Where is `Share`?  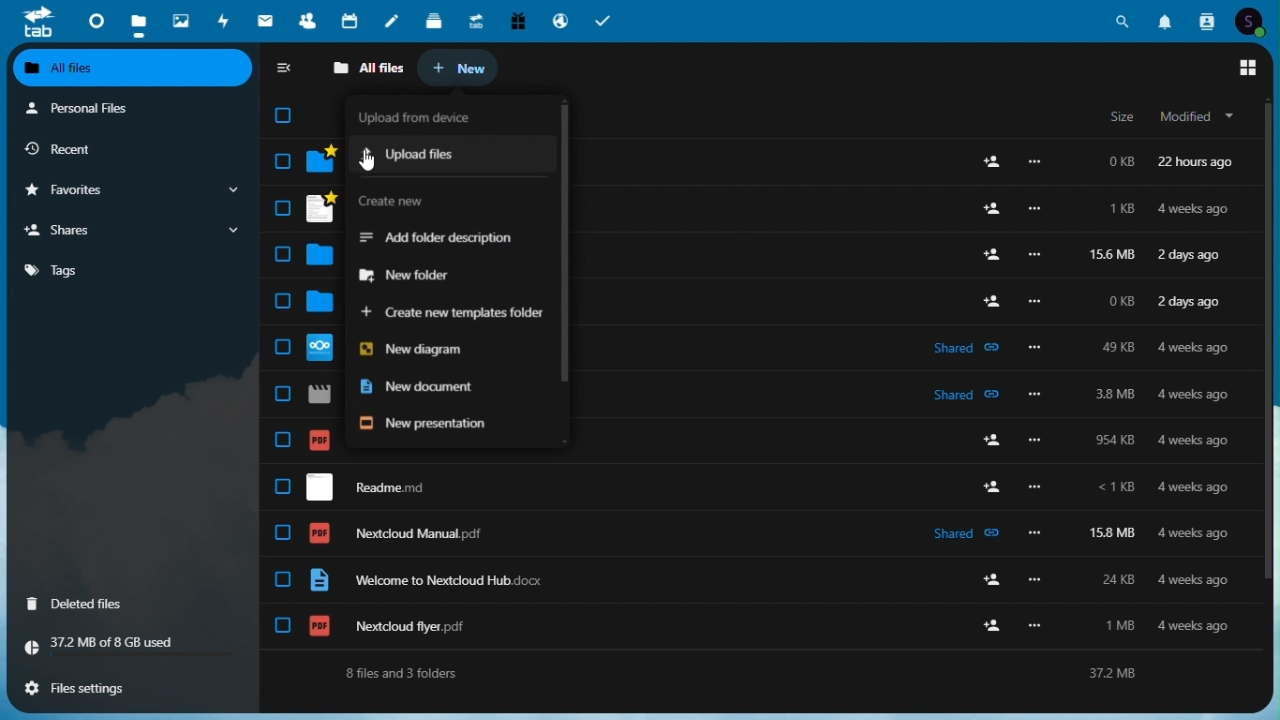
Share is located at coordinates (128, 229).